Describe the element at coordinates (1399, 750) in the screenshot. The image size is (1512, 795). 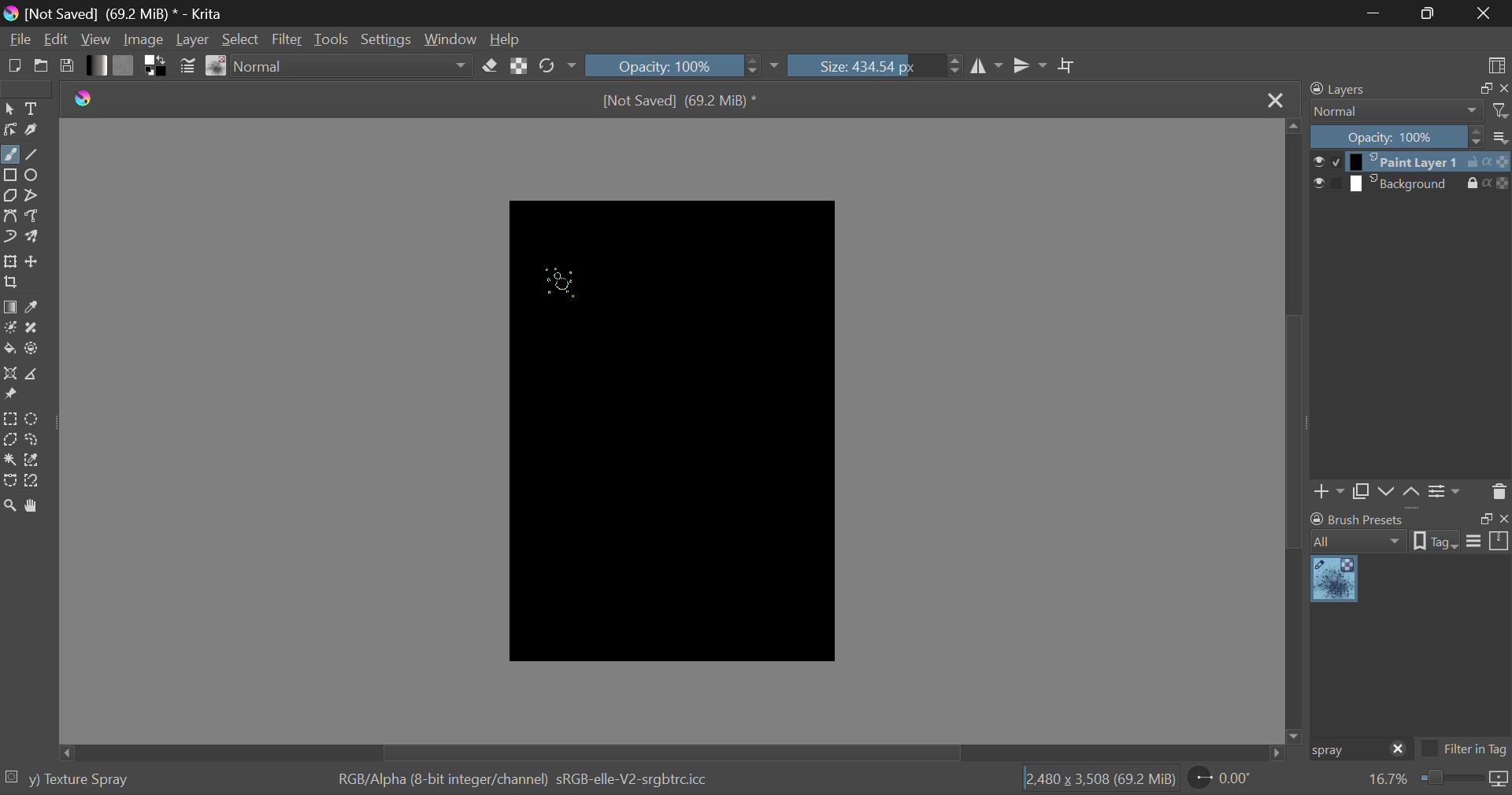
I see `close` at that location.